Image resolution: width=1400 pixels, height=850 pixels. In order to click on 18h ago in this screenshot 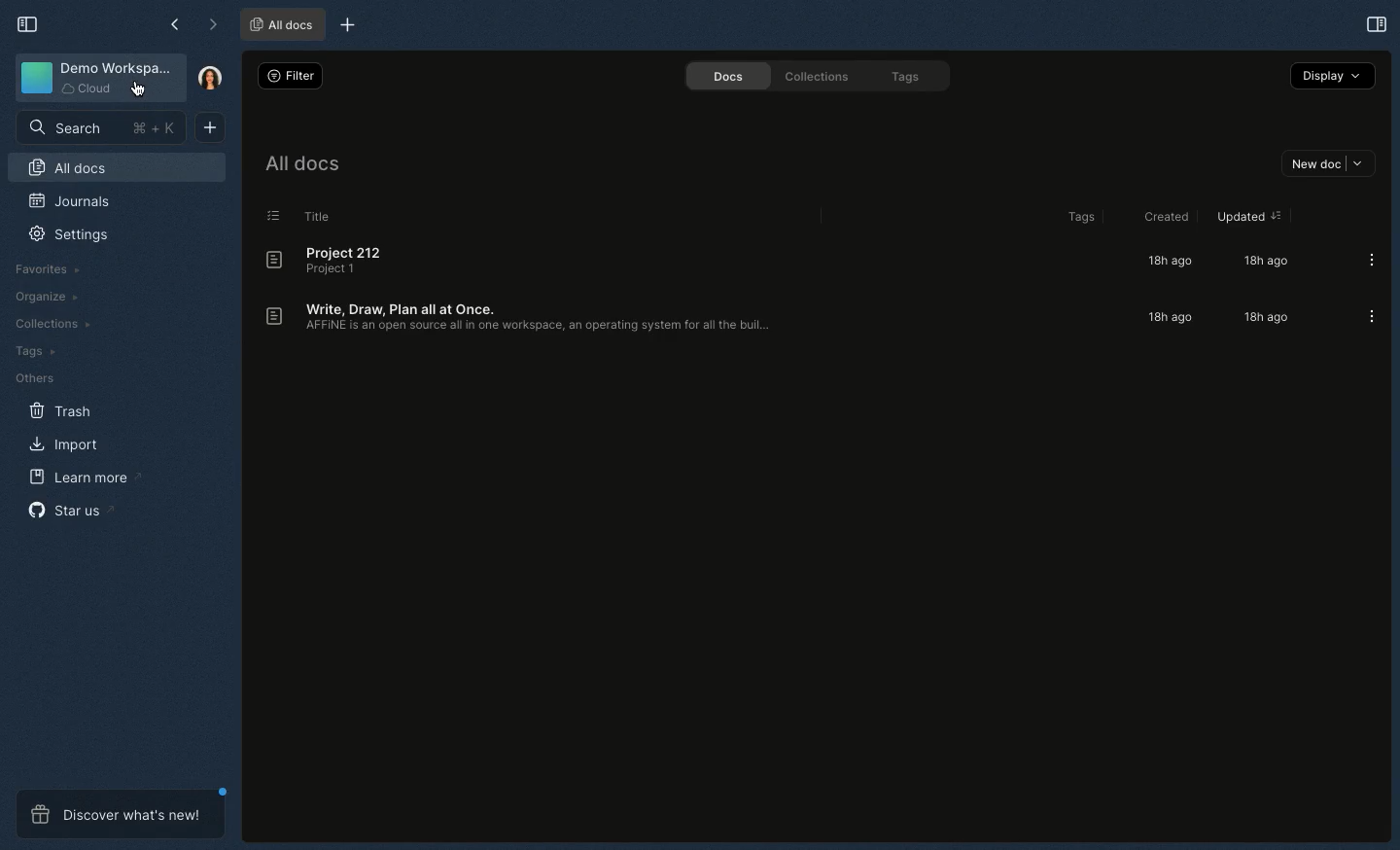, I will do `click(1263, 261)`.